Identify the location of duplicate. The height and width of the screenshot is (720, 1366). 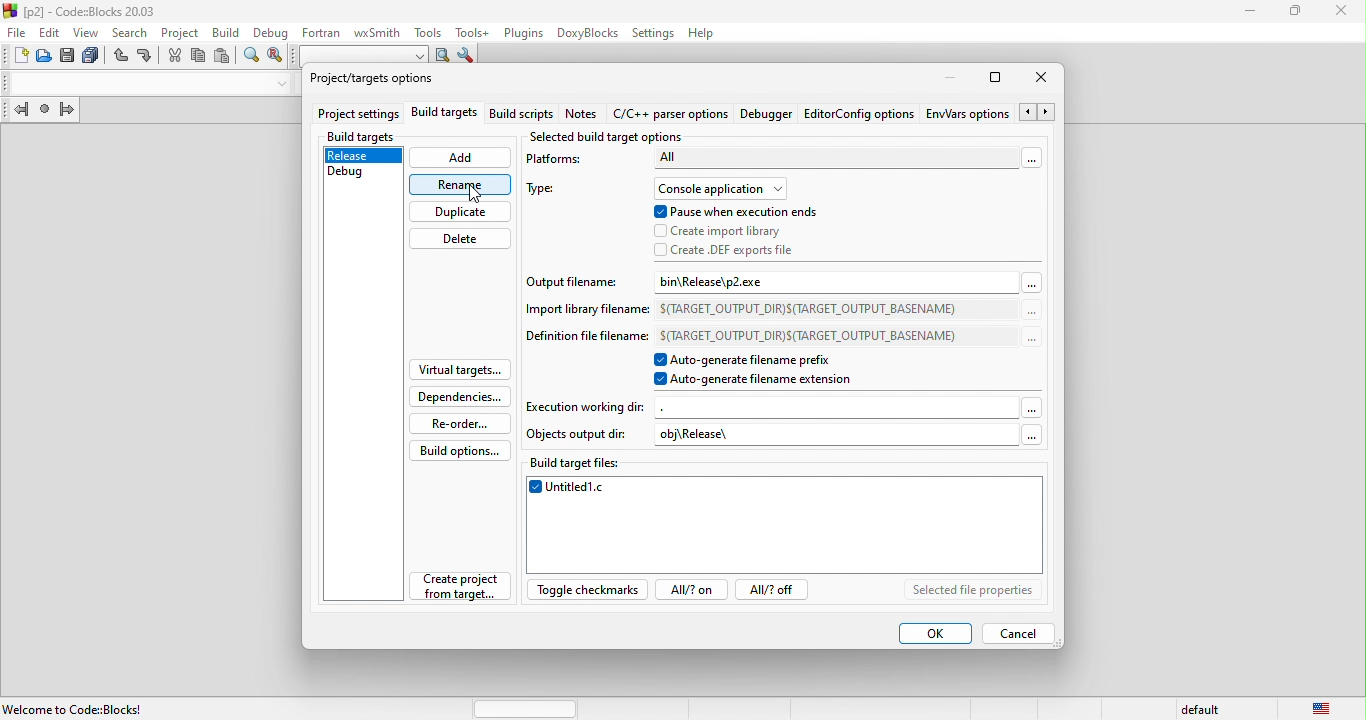
(461, 211).